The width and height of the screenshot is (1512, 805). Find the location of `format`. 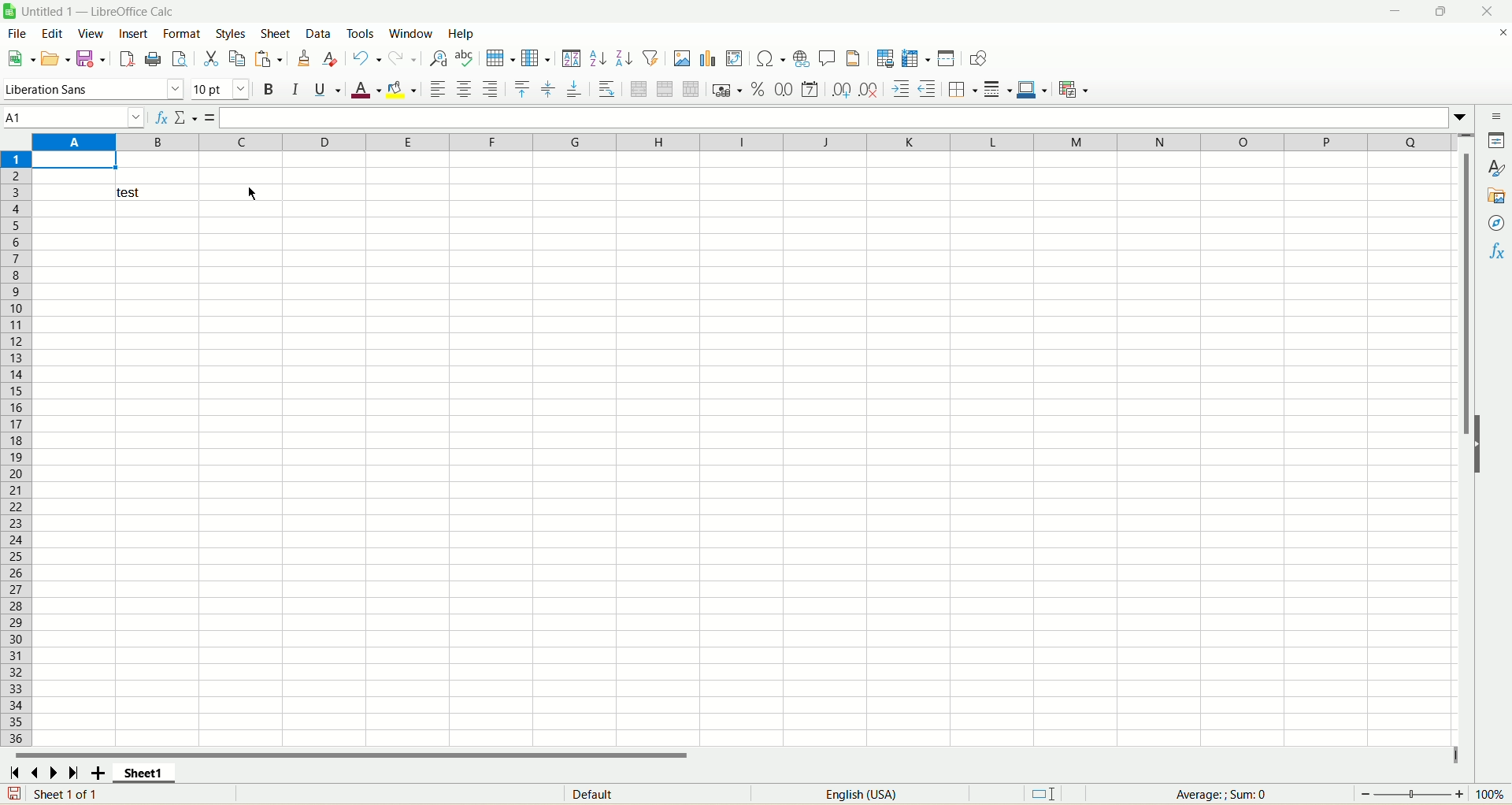

format is located at coordinates (181, 33).